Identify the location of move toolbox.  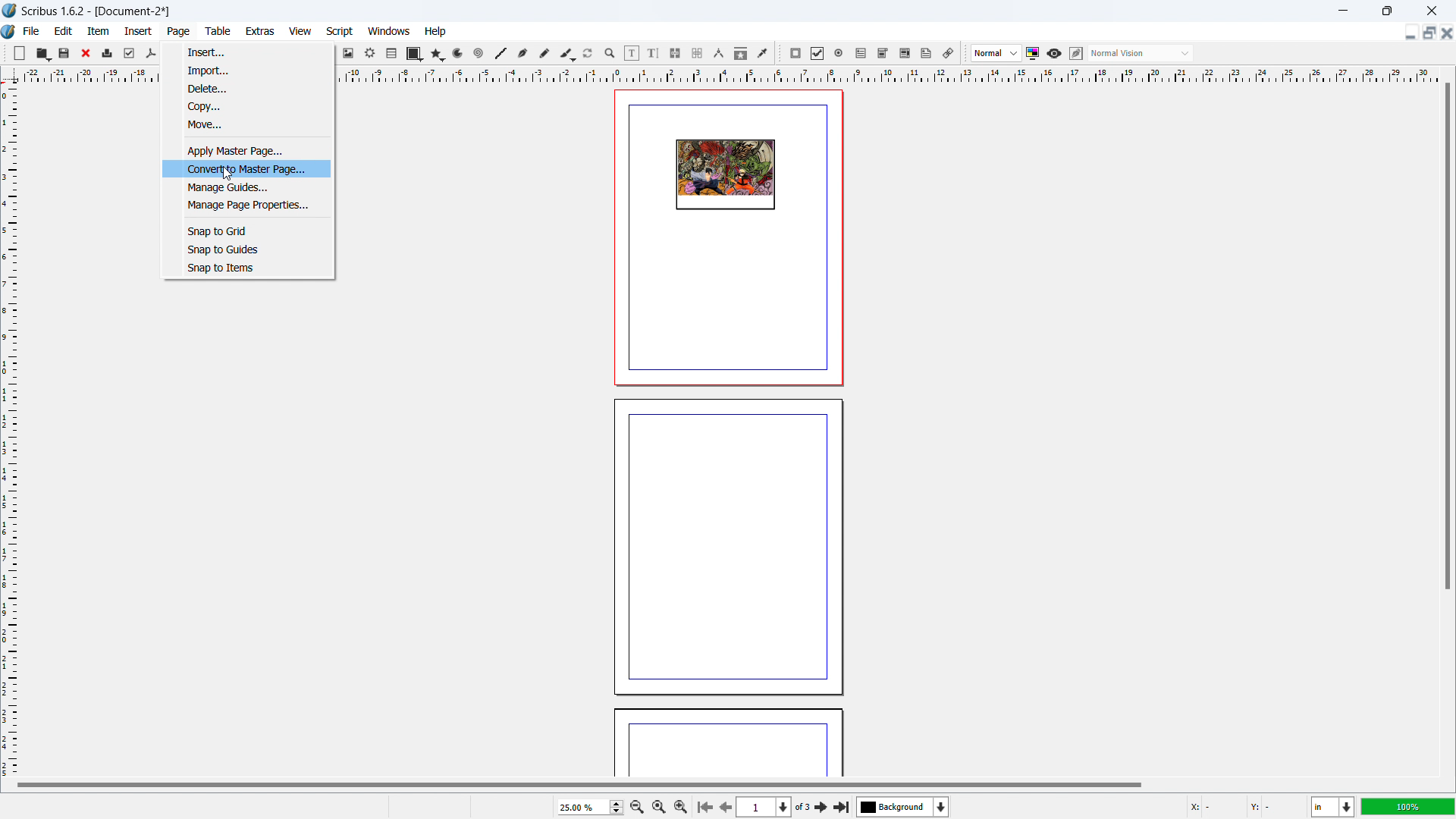
(5, 52).